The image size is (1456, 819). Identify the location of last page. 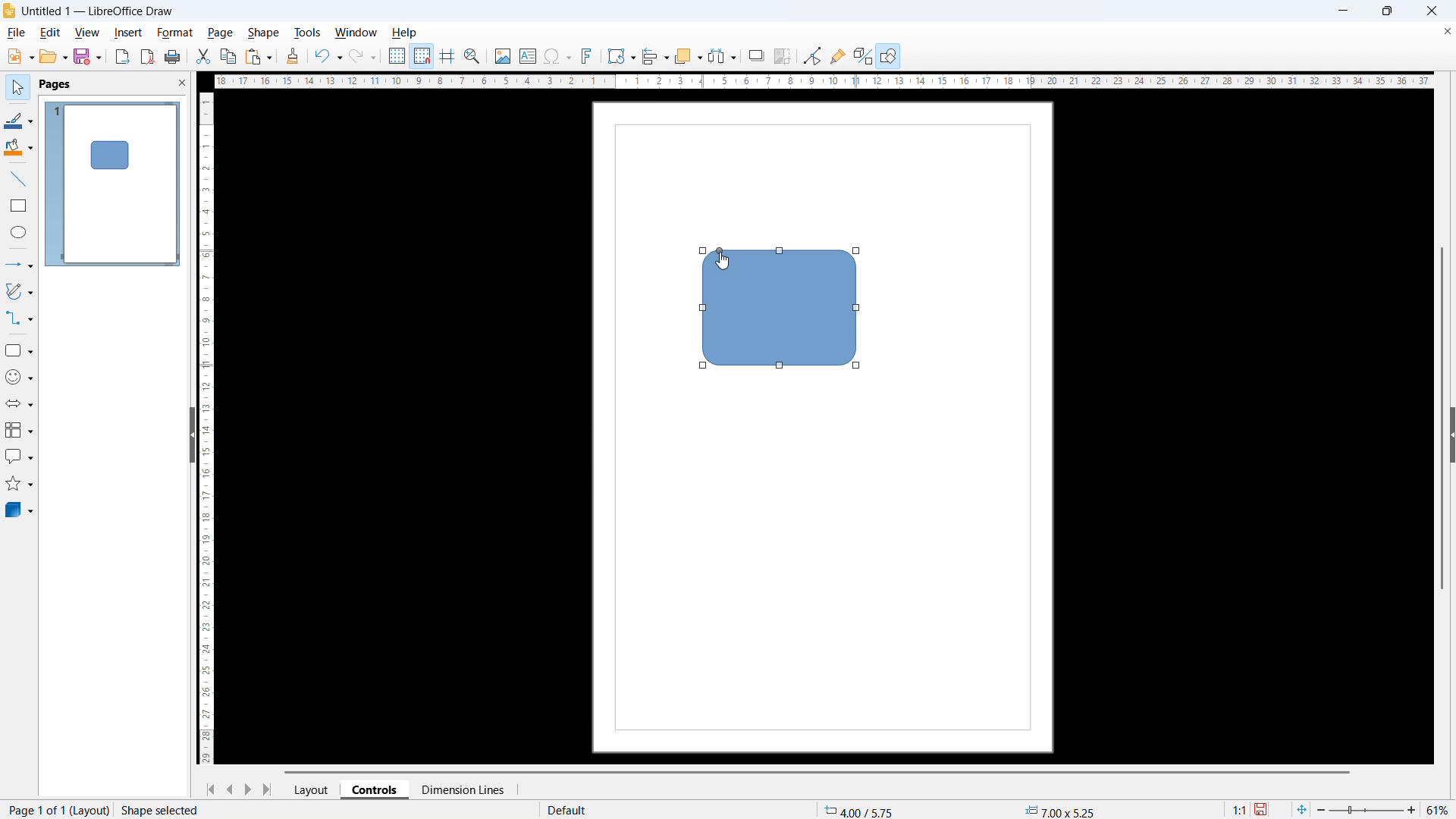
(271, 789).